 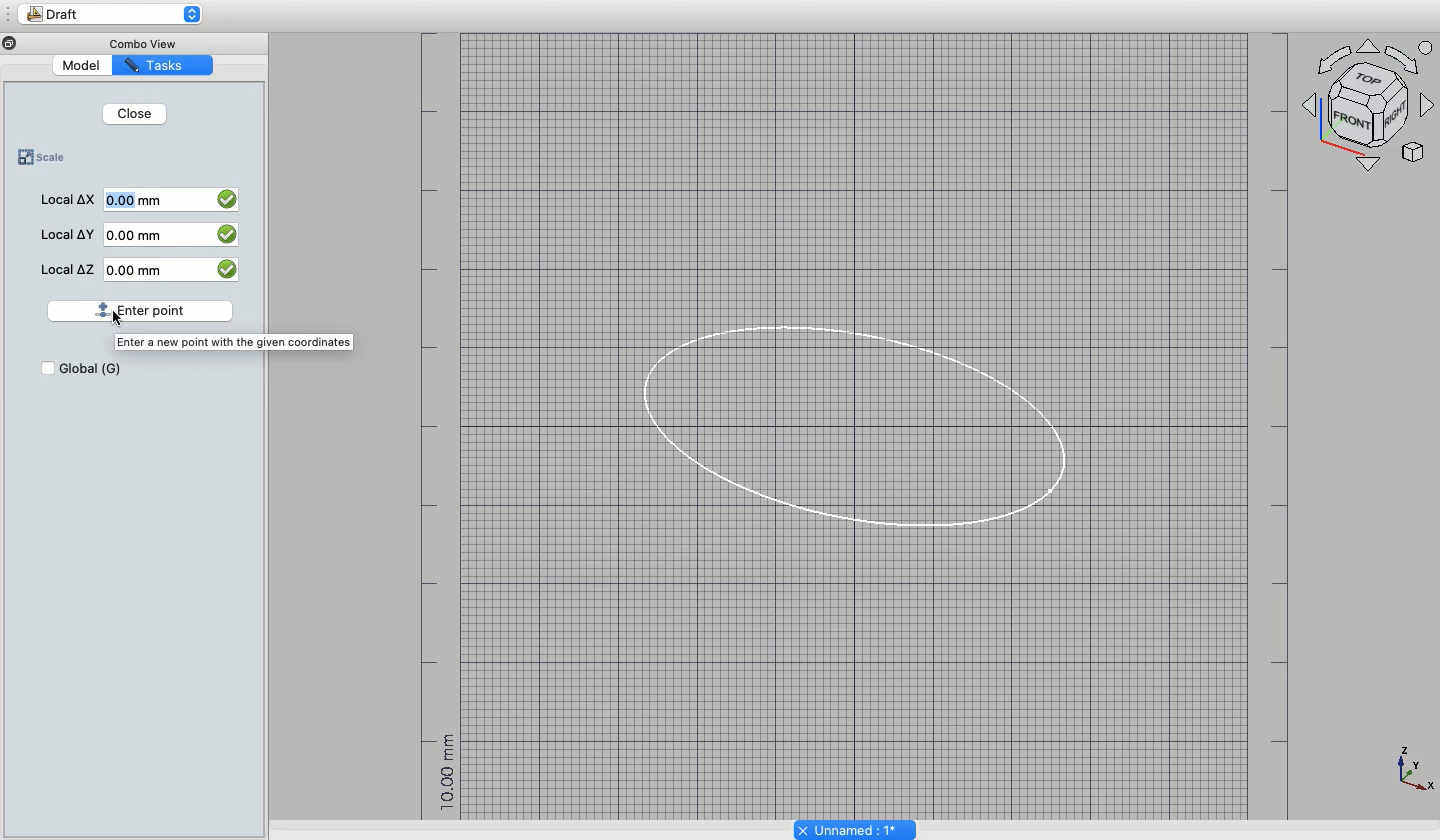 I want to click on Oval, so click(x=848, y=421).